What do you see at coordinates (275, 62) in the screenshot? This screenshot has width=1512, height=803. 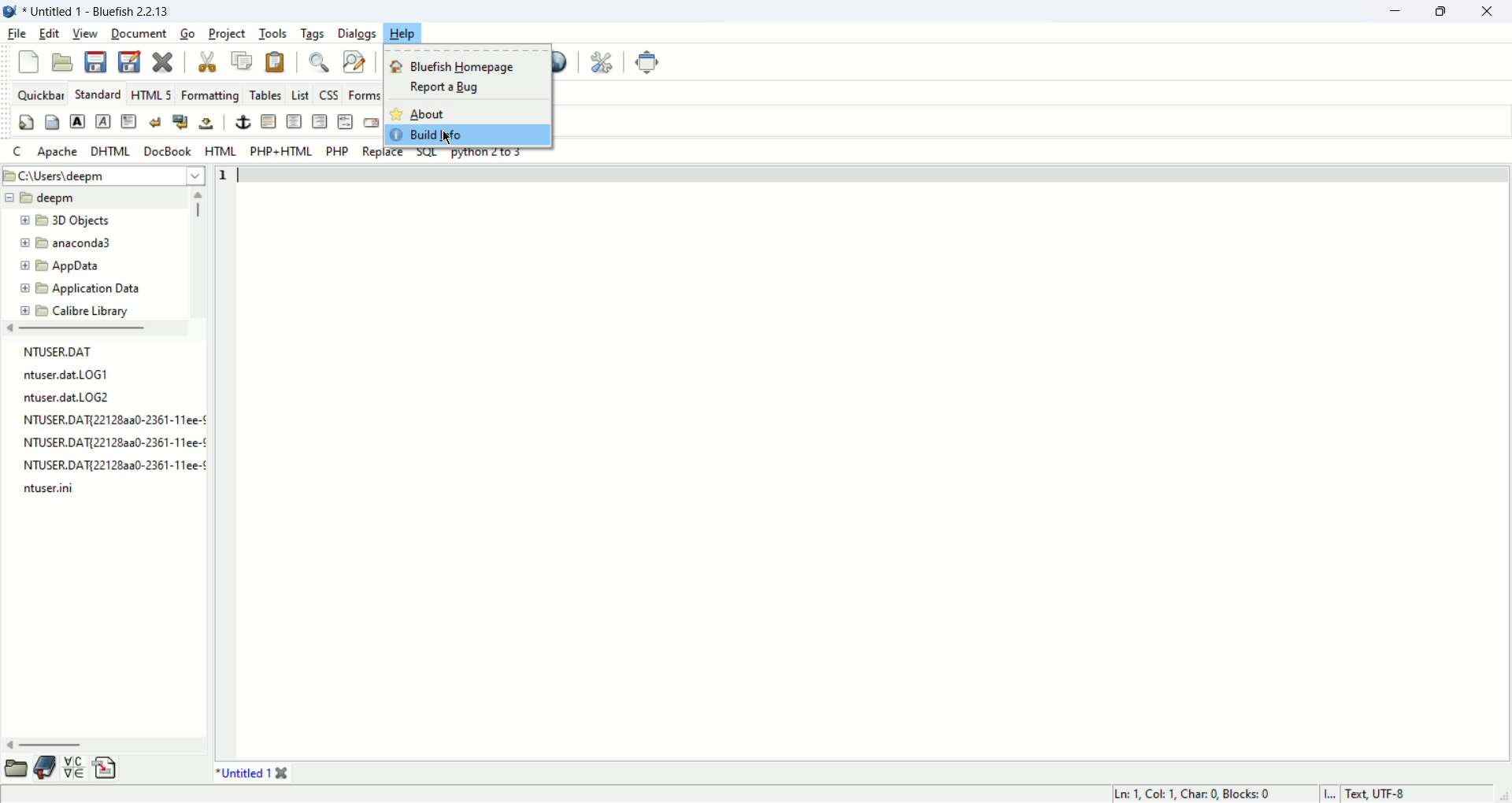 I see `paste` at bounding box center [275, 62].